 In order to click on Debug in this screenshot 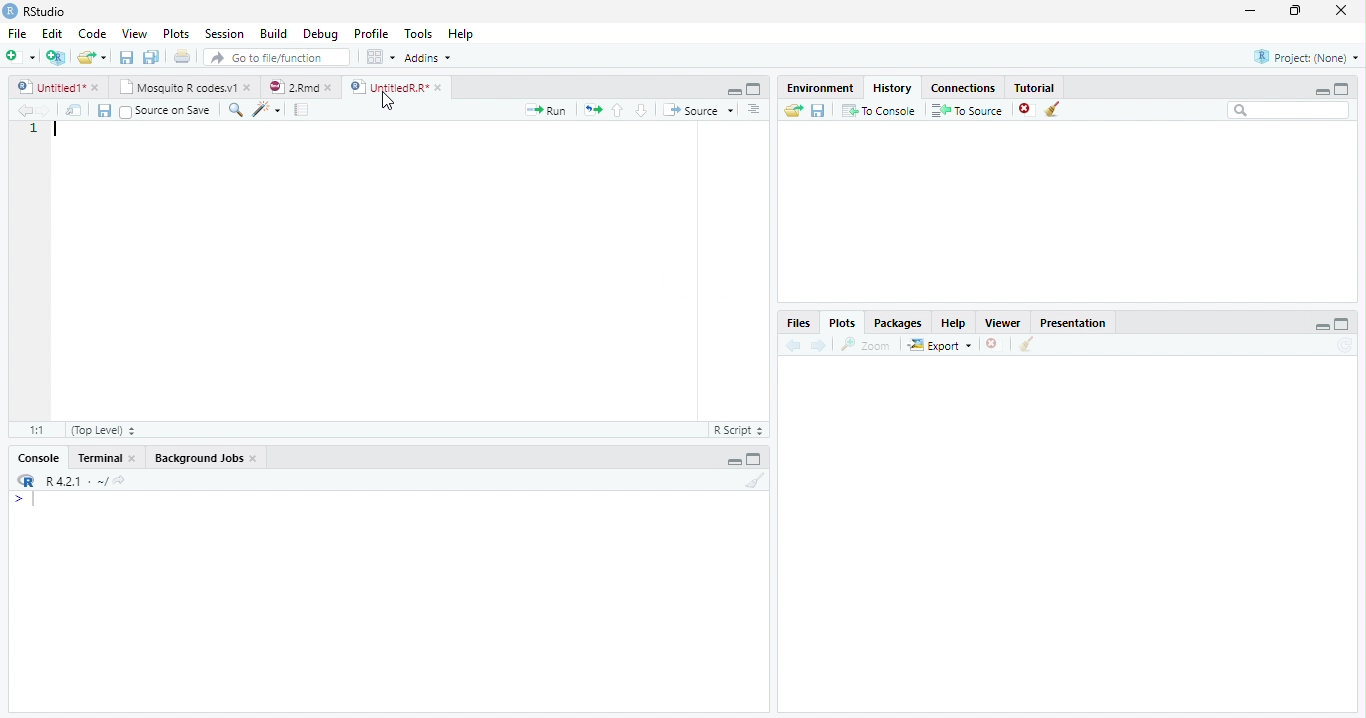, I will do `click(320, 34)`.